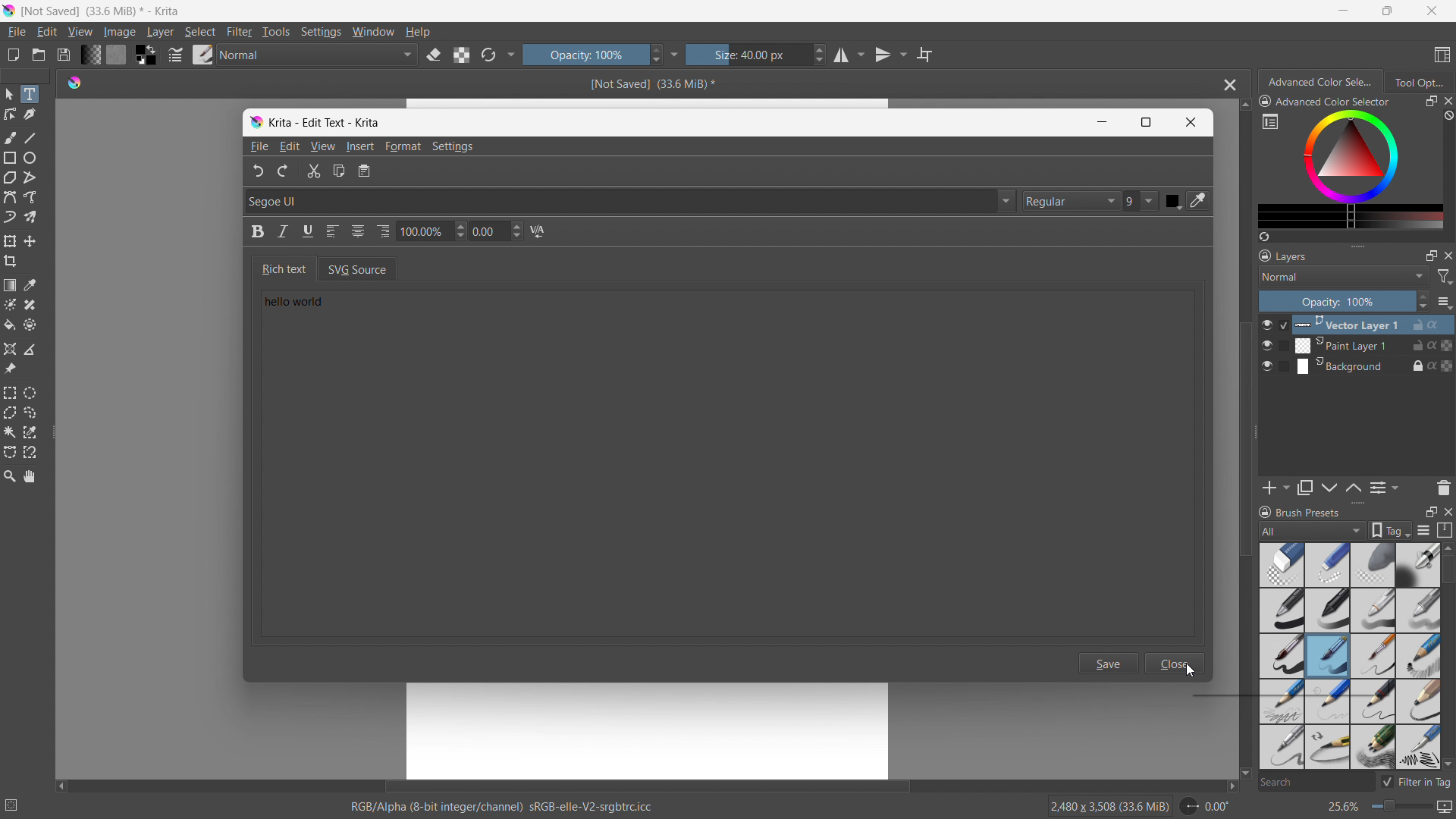 The height and width of the screenshot is (819, 1456). Describe the element at coordinates (1447, 510) in the screenshot. I see `close` at that location.